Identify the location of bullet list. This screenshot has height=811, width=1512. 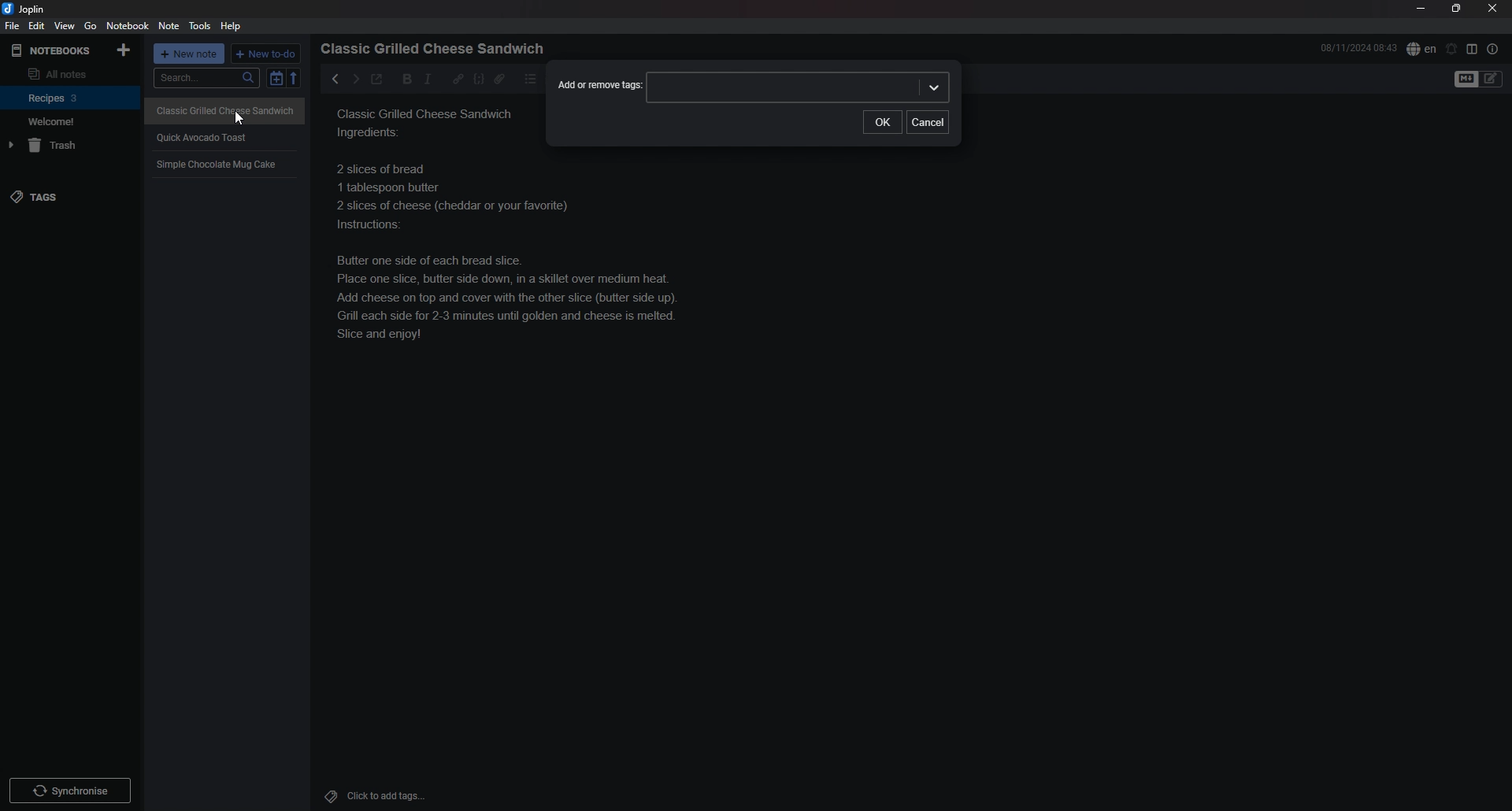
(531, 79).